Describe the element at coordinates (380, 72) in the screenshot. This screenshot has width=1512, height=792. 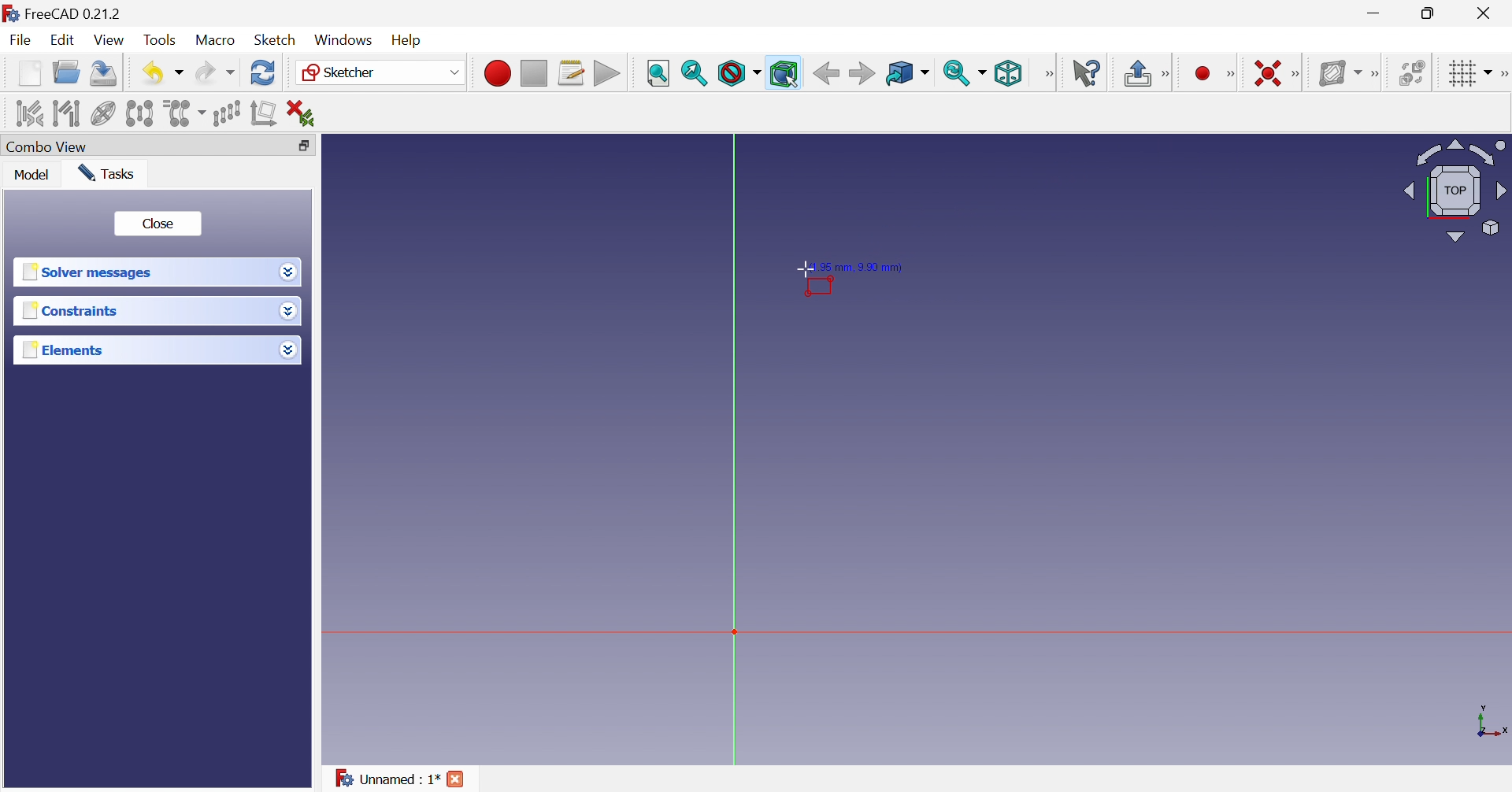
I see `Sketcher` at that location.